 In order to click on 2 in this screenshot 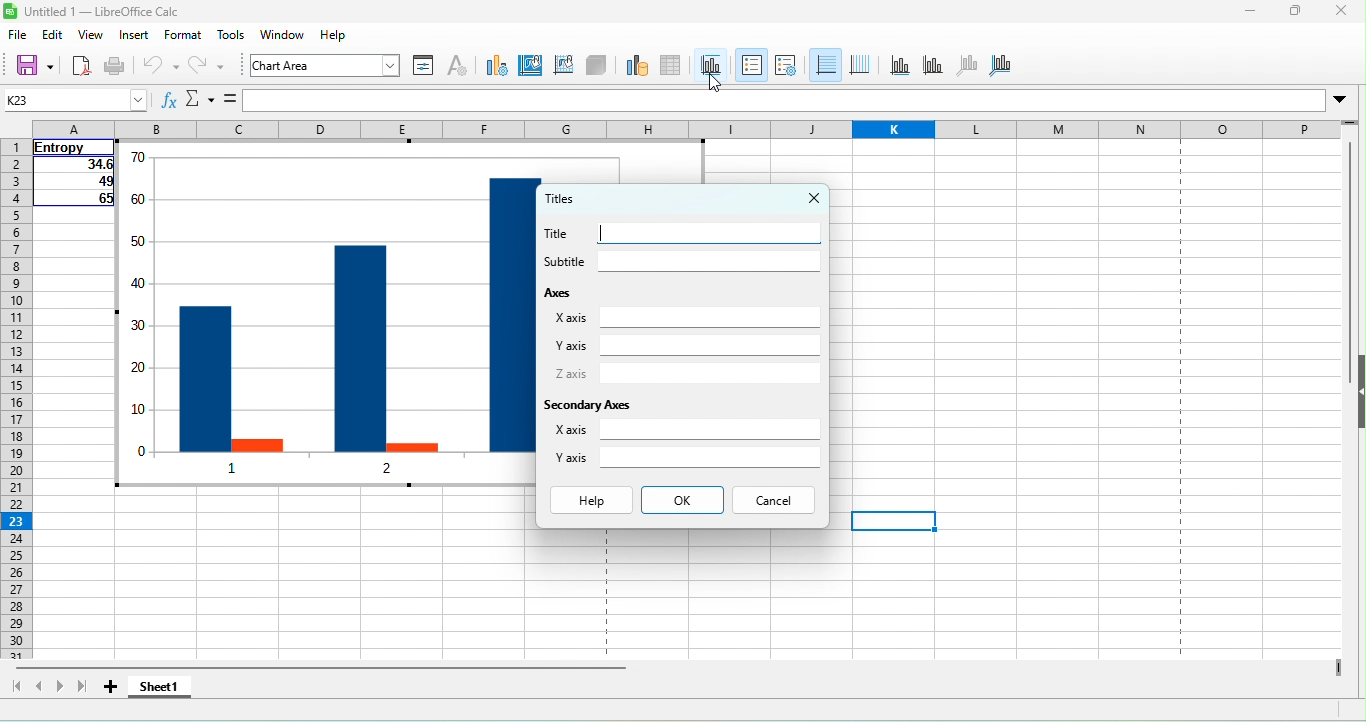, I will do `click(381, 472)`.